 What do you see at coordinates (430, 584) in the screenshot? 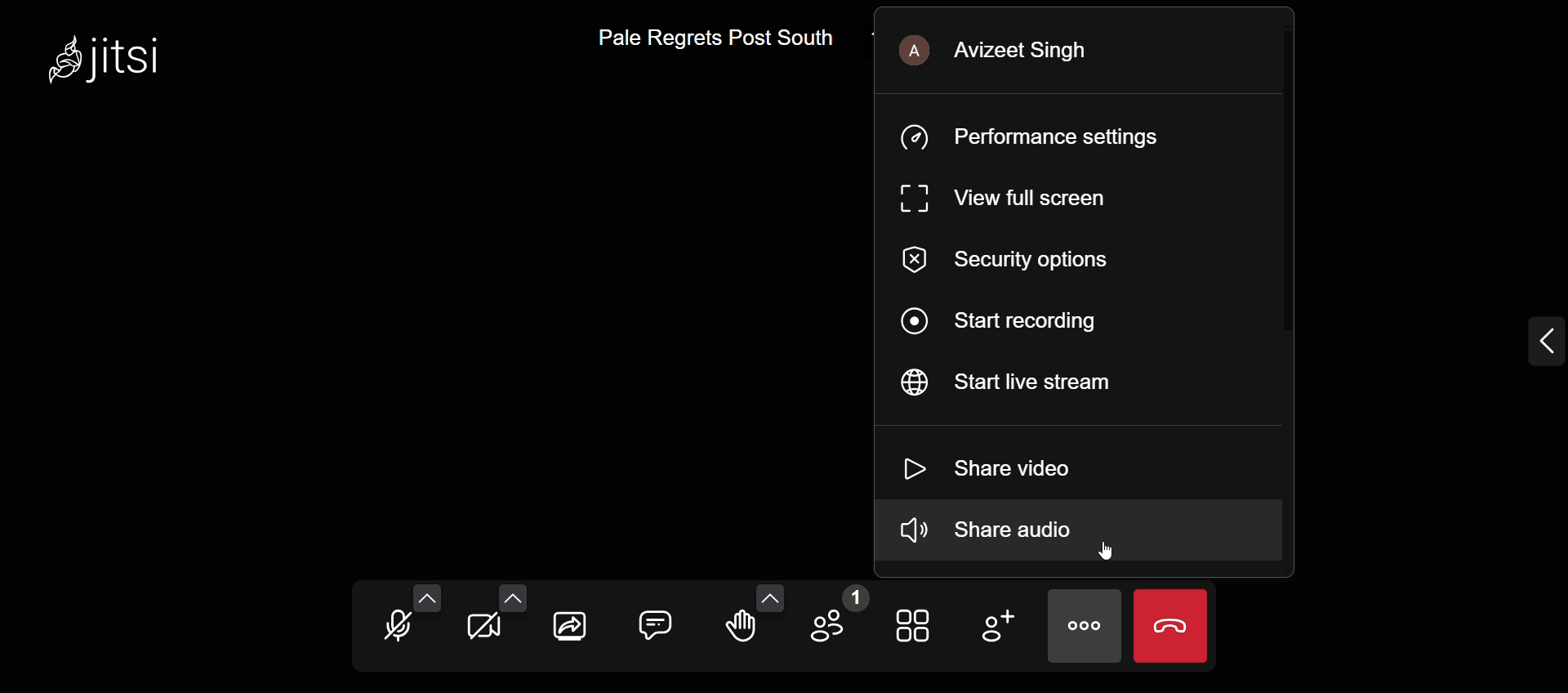
I see `audio setting` at bounding box center [430, 584].